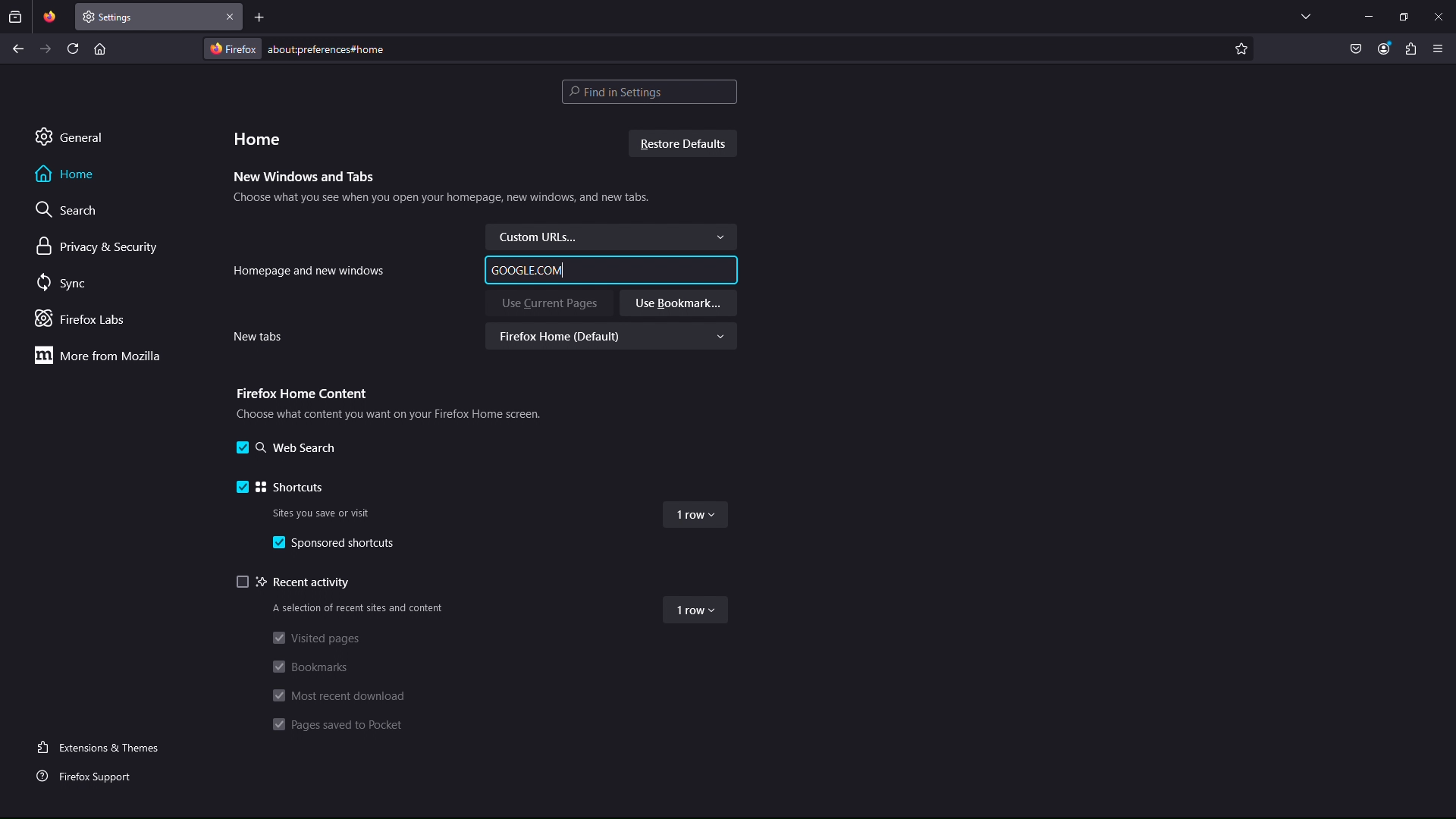  What do you see at coordinates (49, 17) in the screenshot?
I see `Pinned Tab` at bounding box center [49, 17].